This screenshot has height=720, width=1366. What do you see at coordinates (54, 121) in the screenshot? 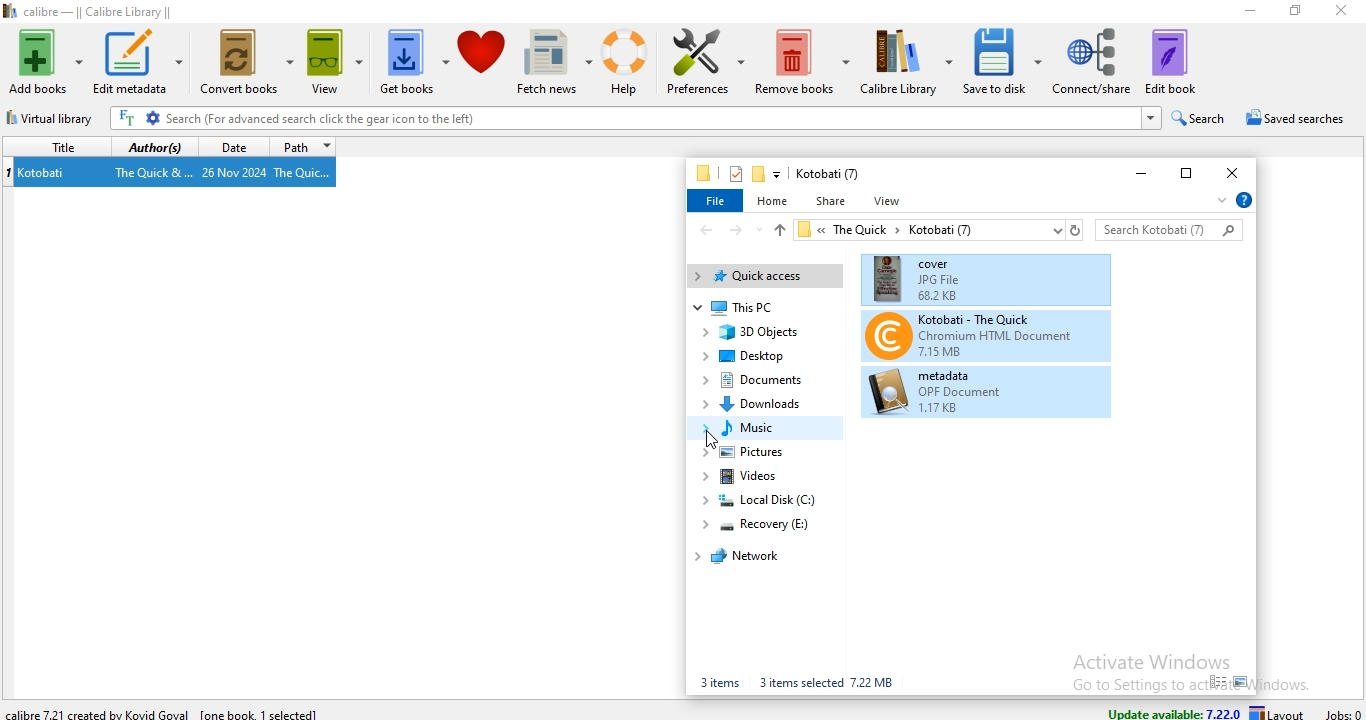
I see `virtual library` at bounding box center [54, 121].